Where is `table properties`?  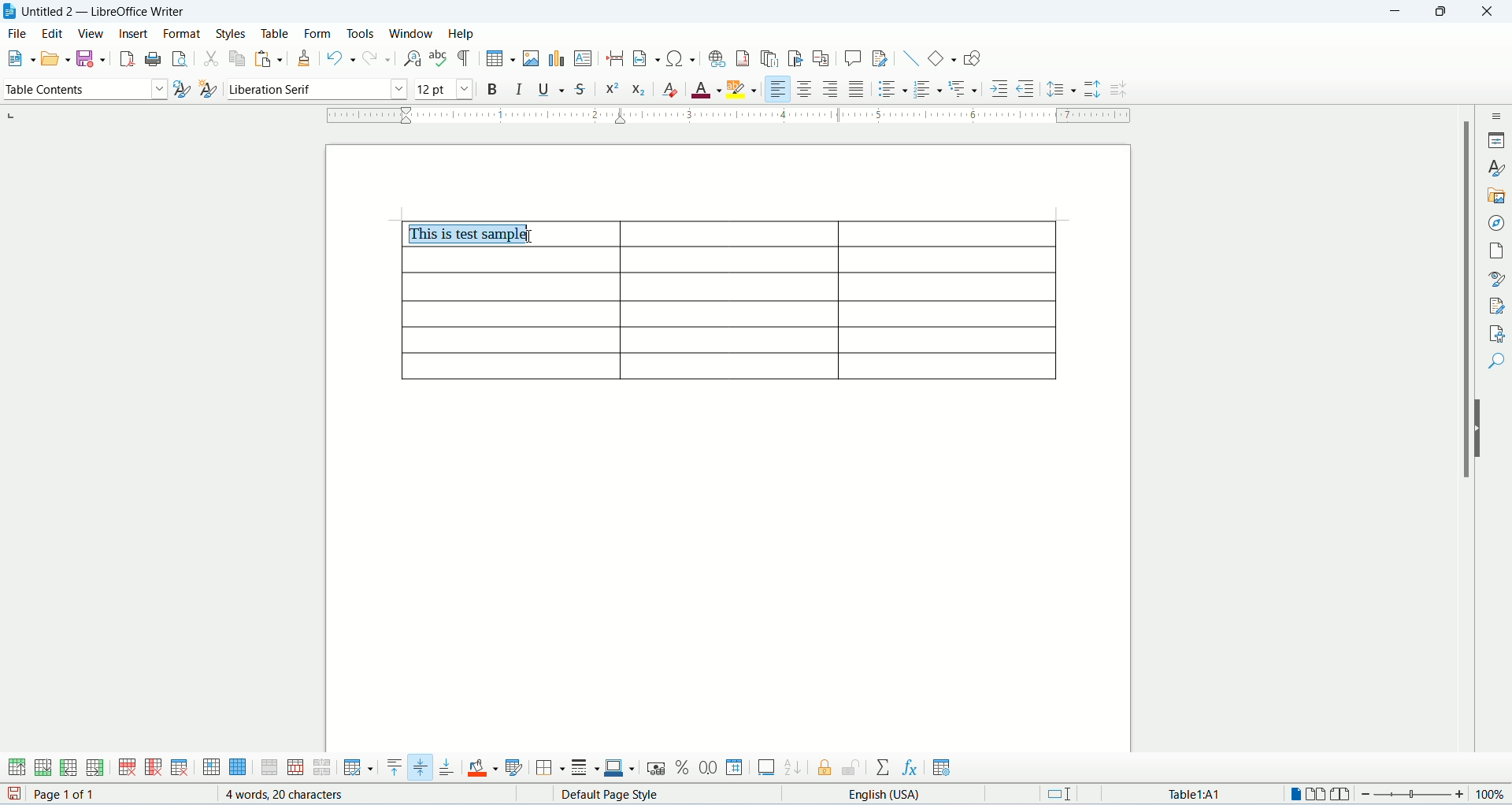
table properties is located at coordinates (941, 768).